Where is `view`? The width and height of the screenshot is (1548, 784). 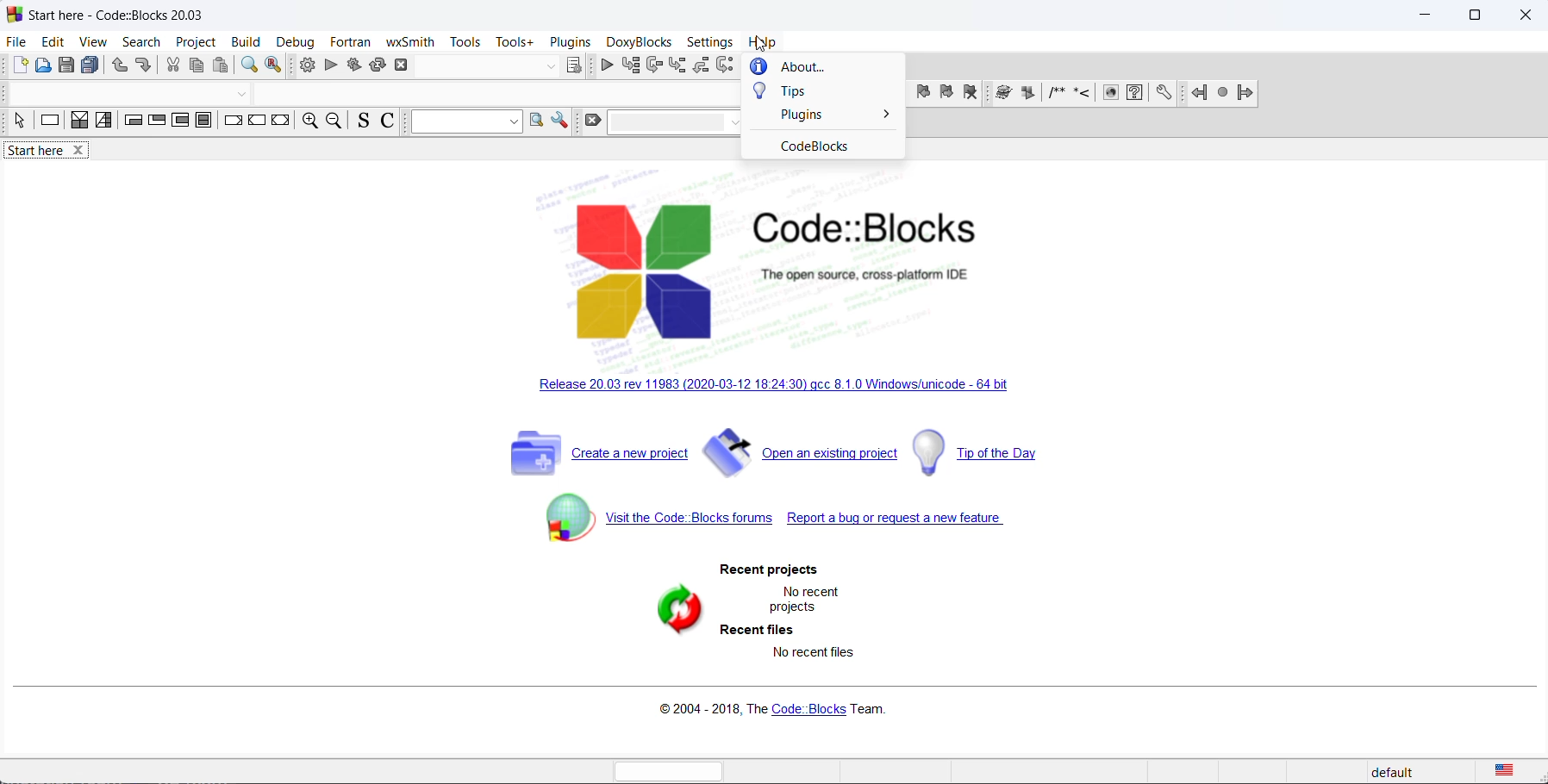
view is located at coordinates (91, 40).